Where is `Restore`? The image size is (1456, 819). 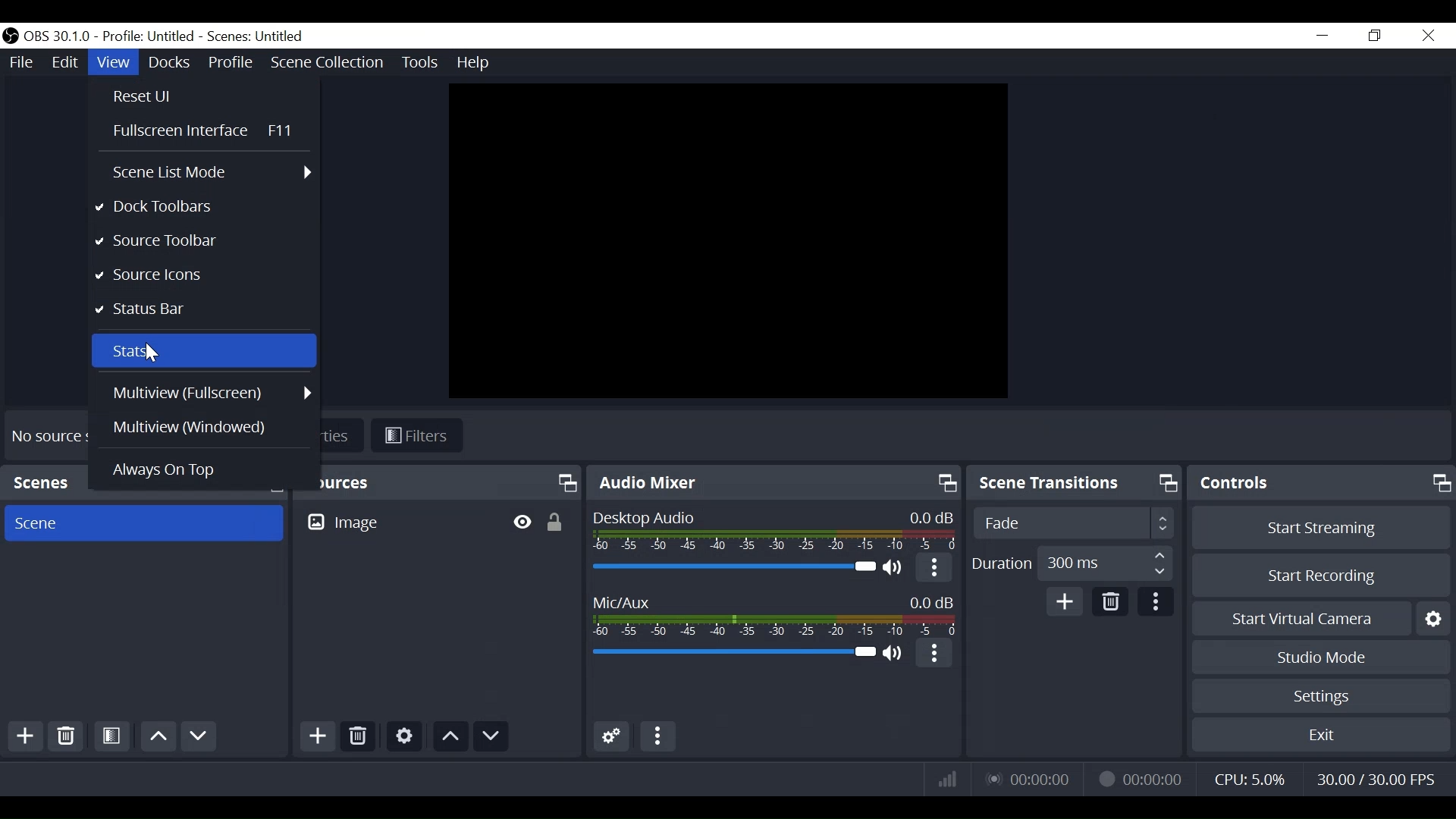 Restore is located at coordinates (1376, 36).